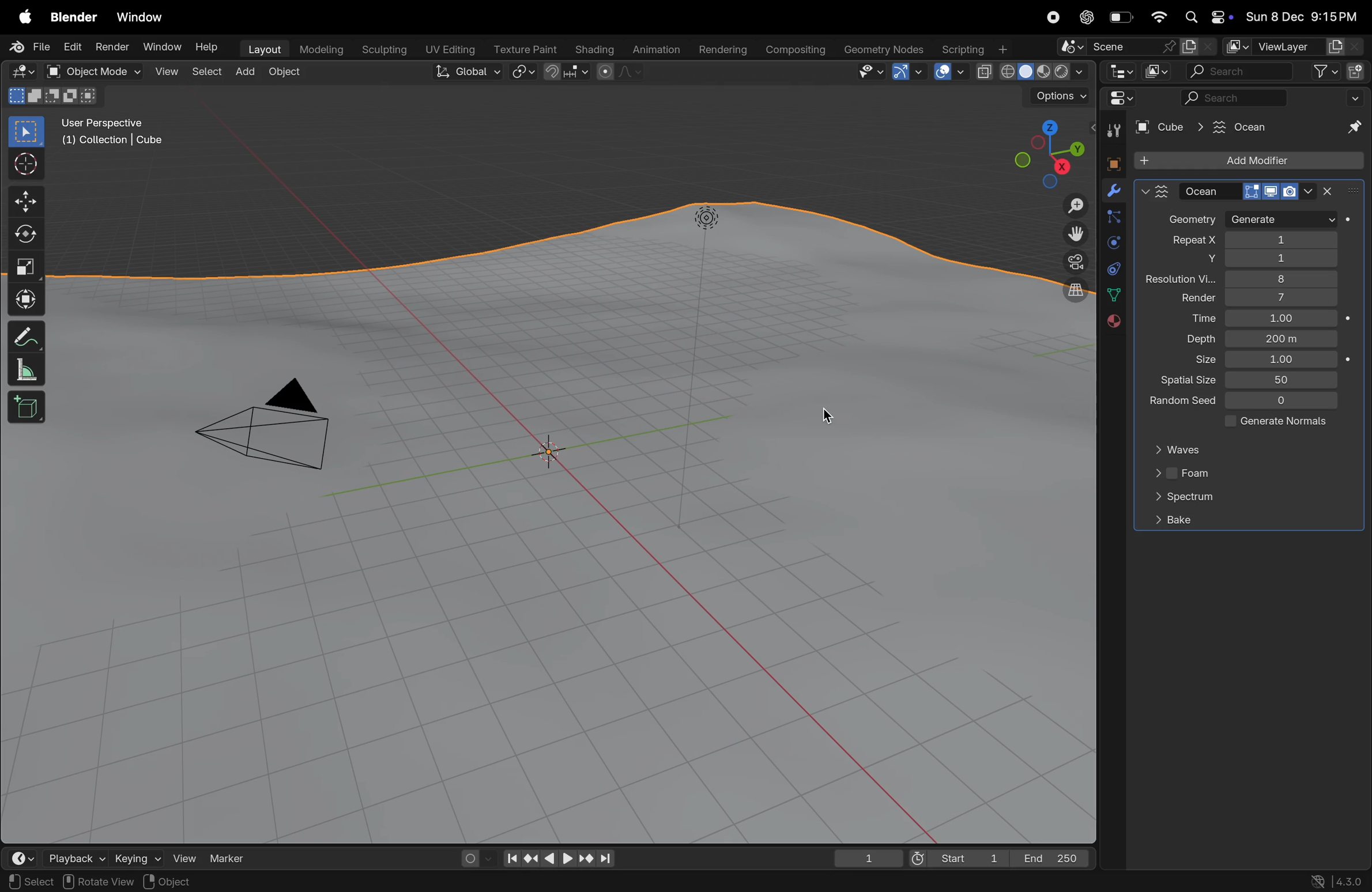  I want to click on global, so click(469, 73).